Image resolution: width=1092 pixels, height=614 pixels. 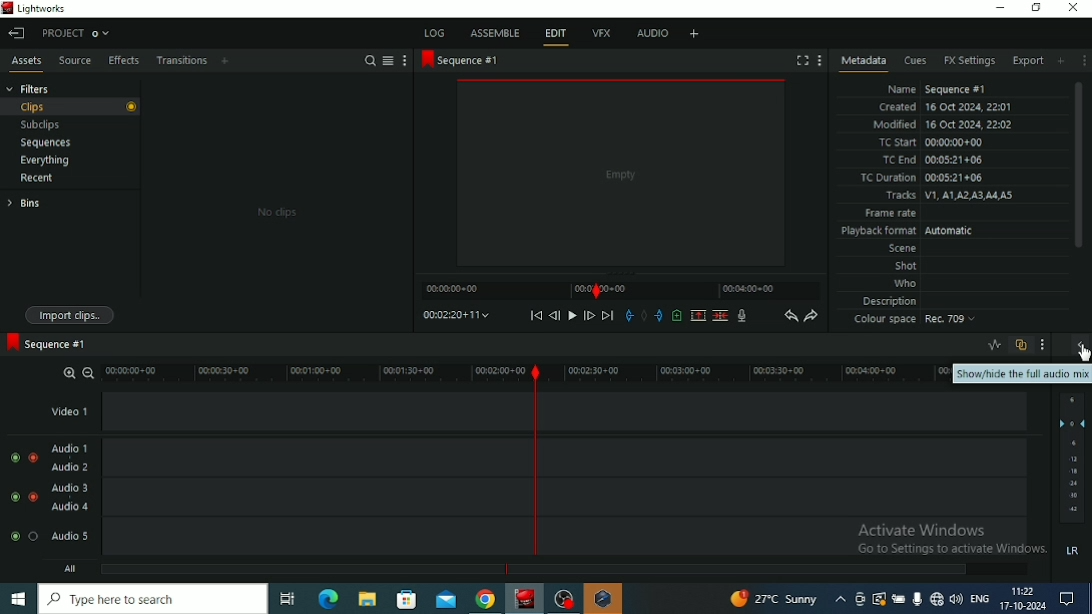 What do you see at coordinates (937, 599) in the screenshot?
I see `Internet` at bounding box center [937, 599].